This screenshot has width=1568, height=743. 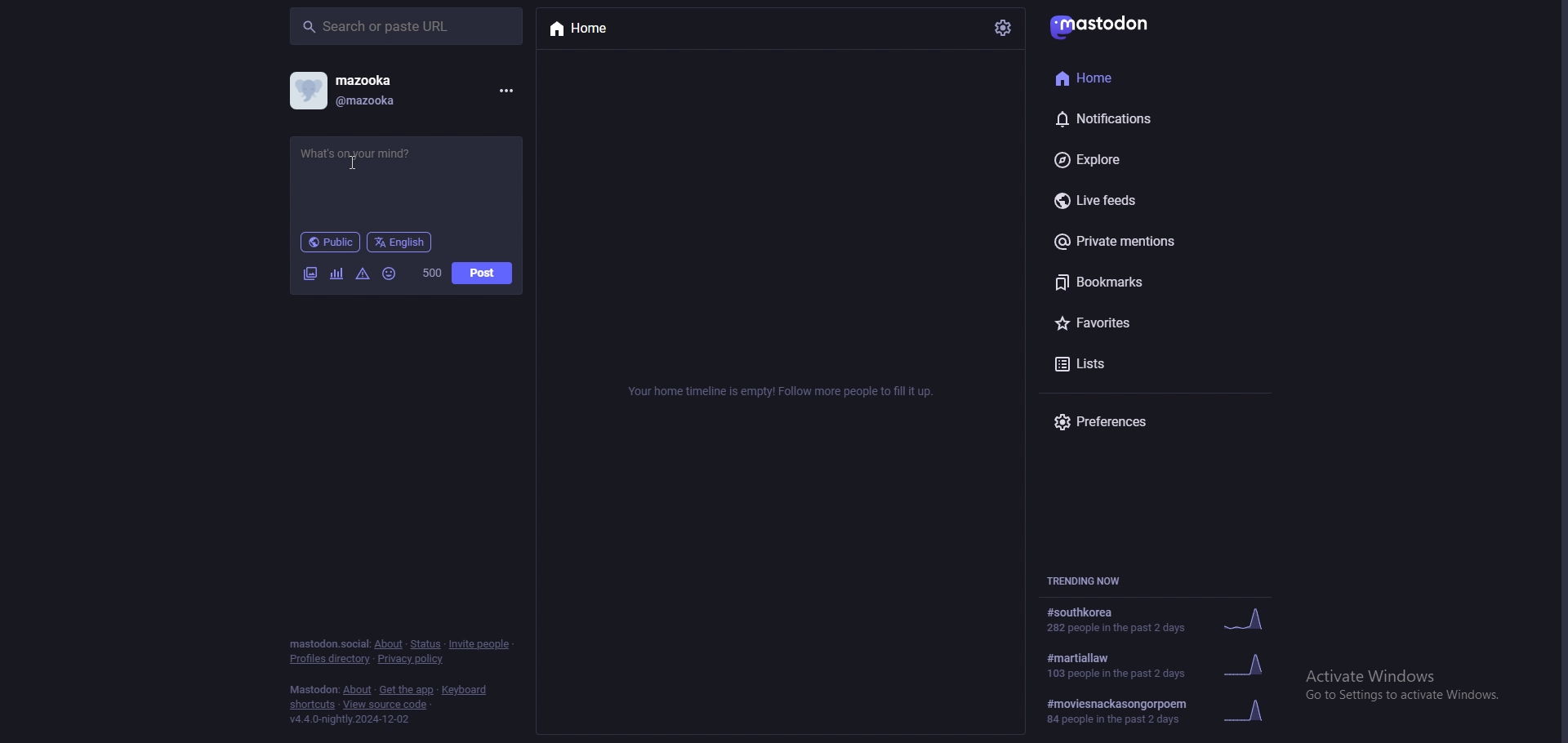 What do you see at coordinates (313, 705) in the screenshot?
I see `shortcuts` at bounding box center [313, 705].